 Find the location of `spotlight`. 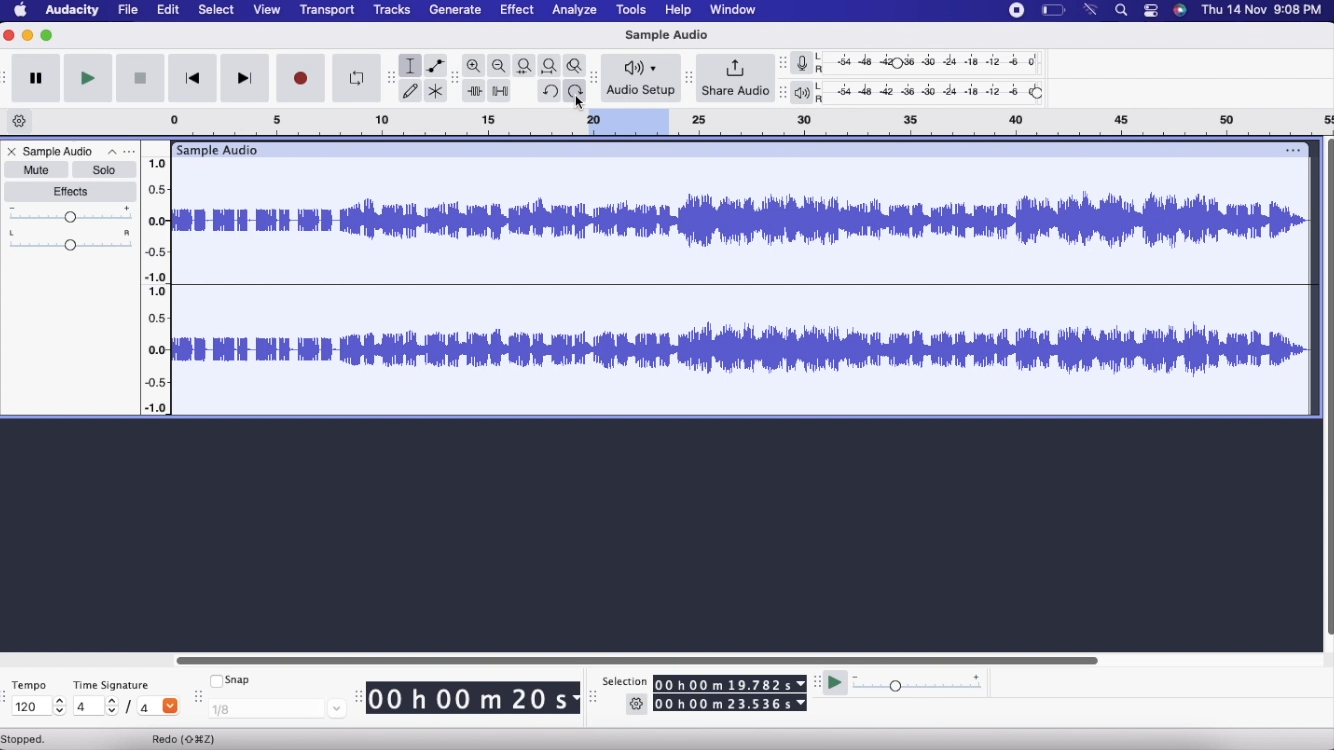

spotlight is located at coordinates (1121, 10).